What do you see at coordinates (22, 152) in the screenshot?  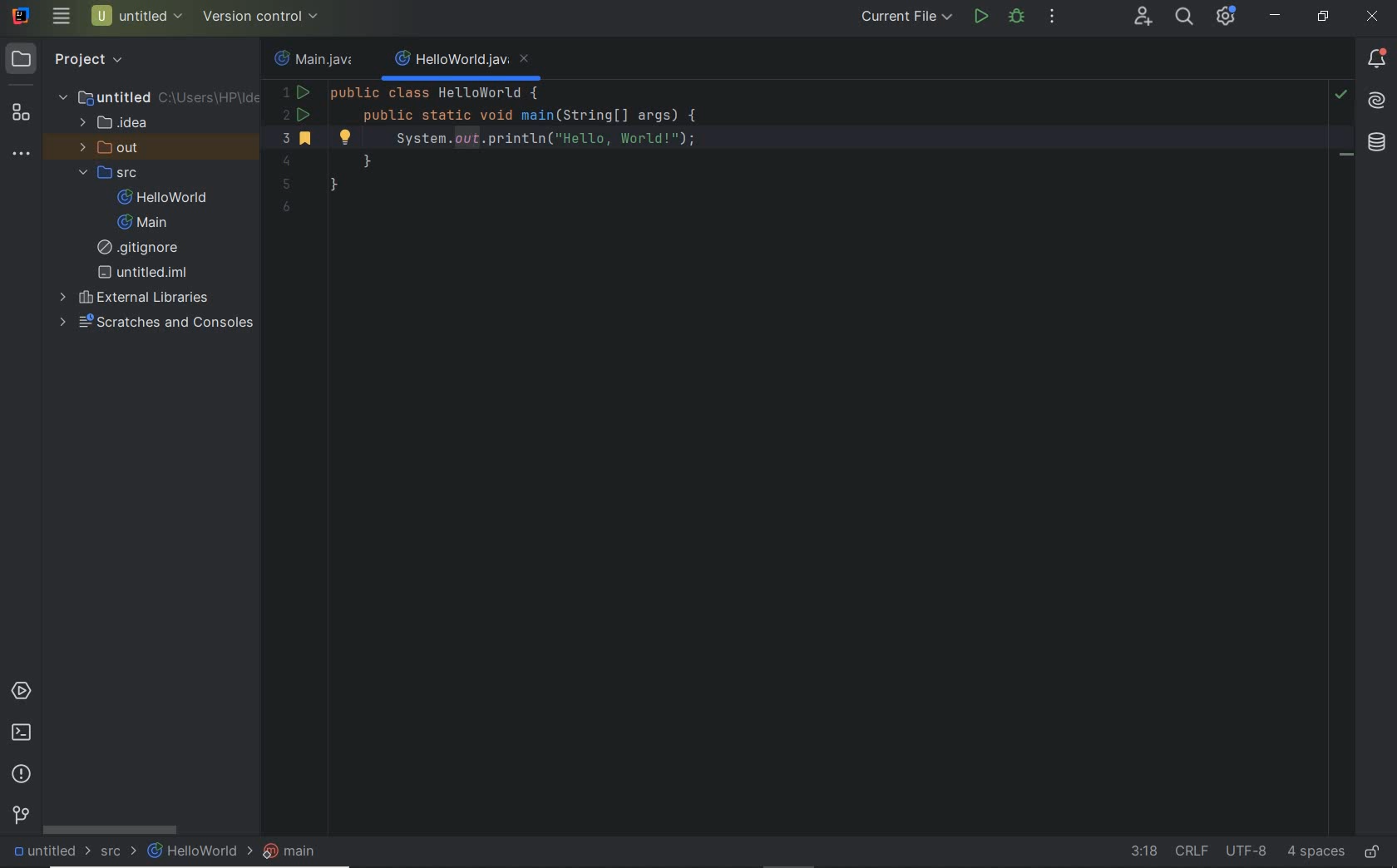 I see `more tool windows` at bounding box center [22, 152].